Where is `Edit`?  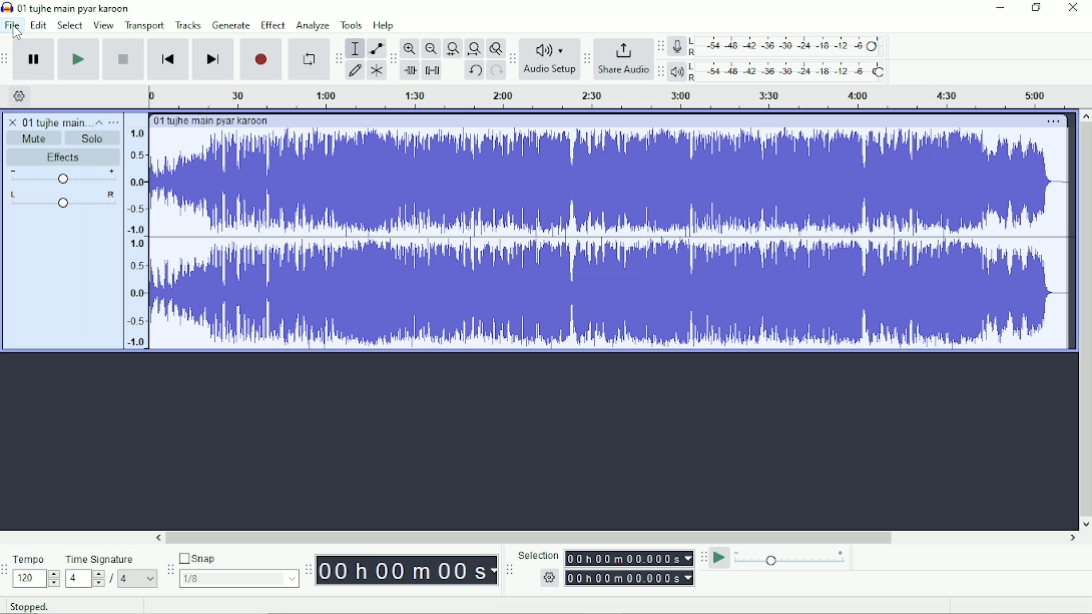 Edit is located at coordinates (38, 25).